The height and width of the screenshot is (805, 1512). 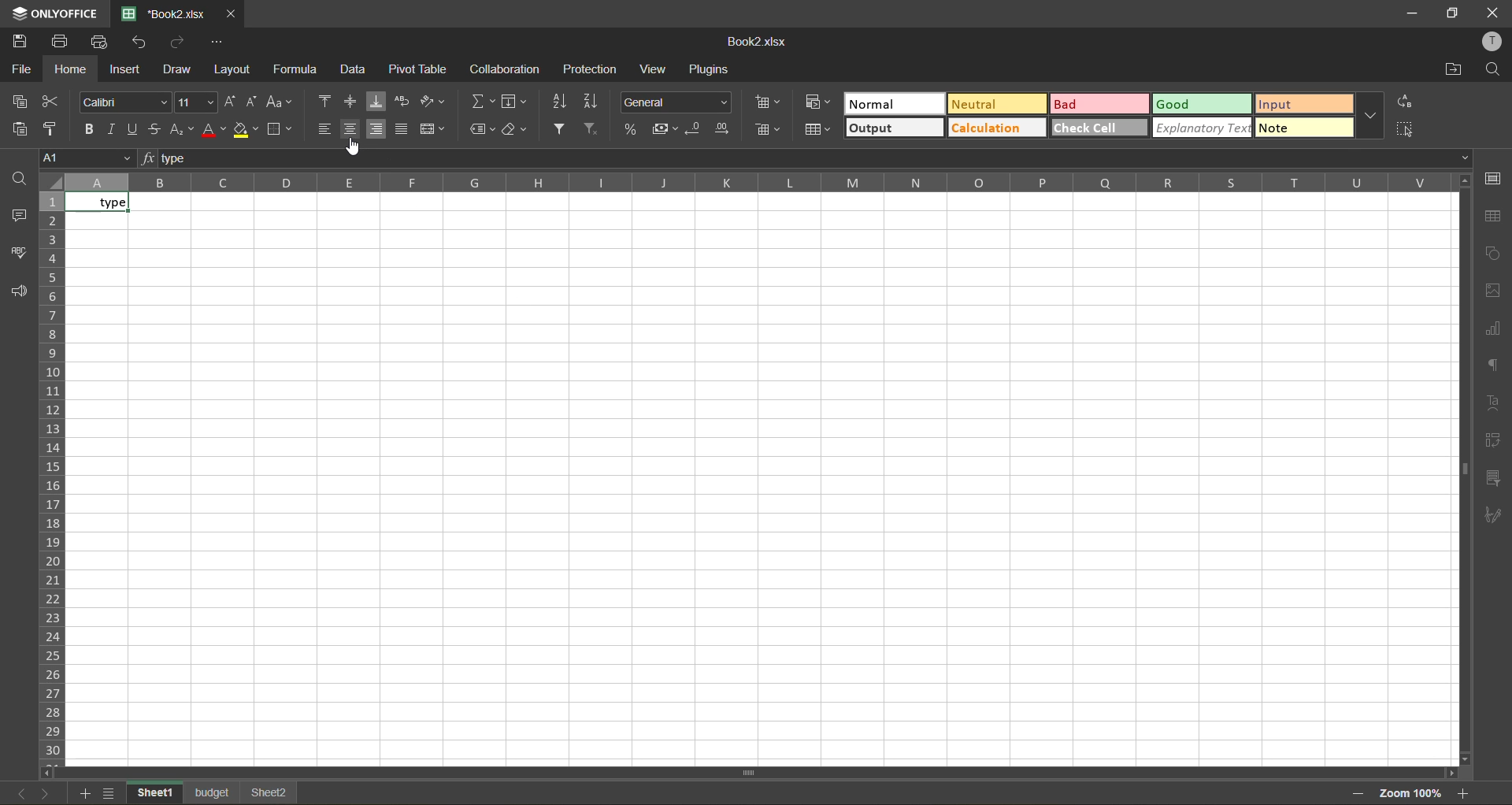 What do you see at coordinates (1373, 117) in the screenshot?
I see `more options` at bounding box center [1373, 117].